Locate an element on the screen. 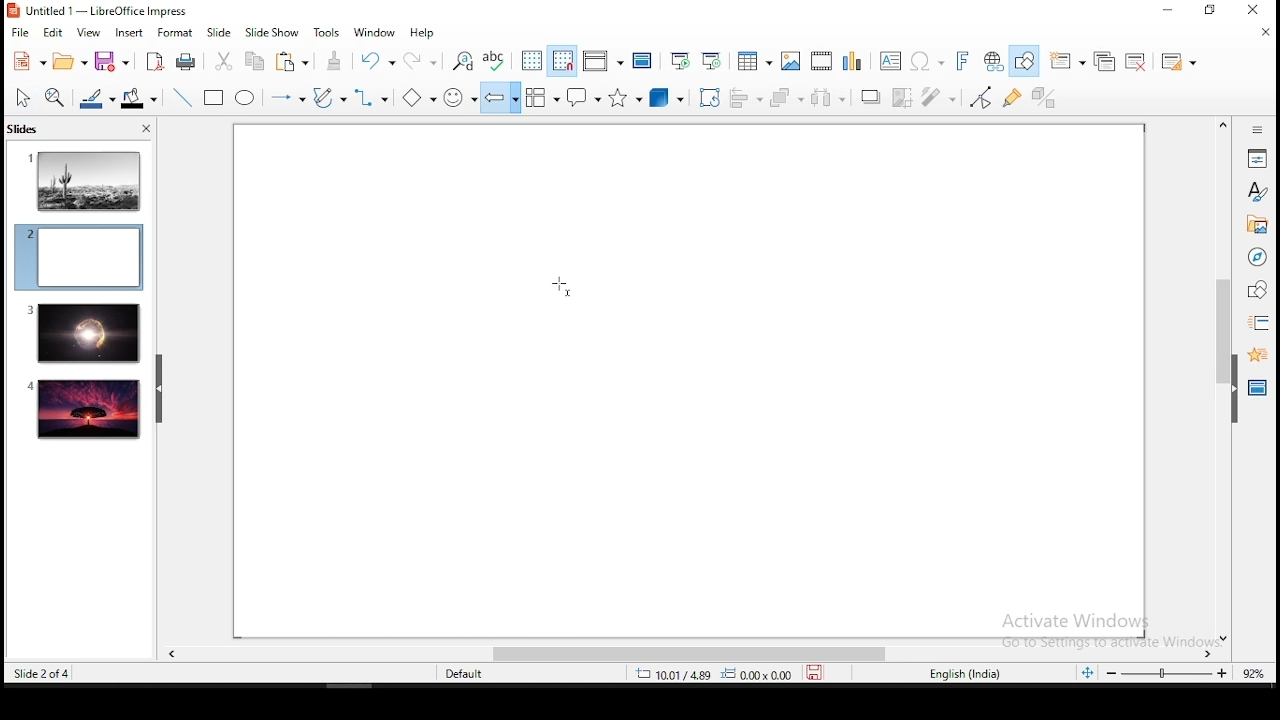 The width and height of the screenshot is (1280, 720). open is located at coordinates (69, 62).